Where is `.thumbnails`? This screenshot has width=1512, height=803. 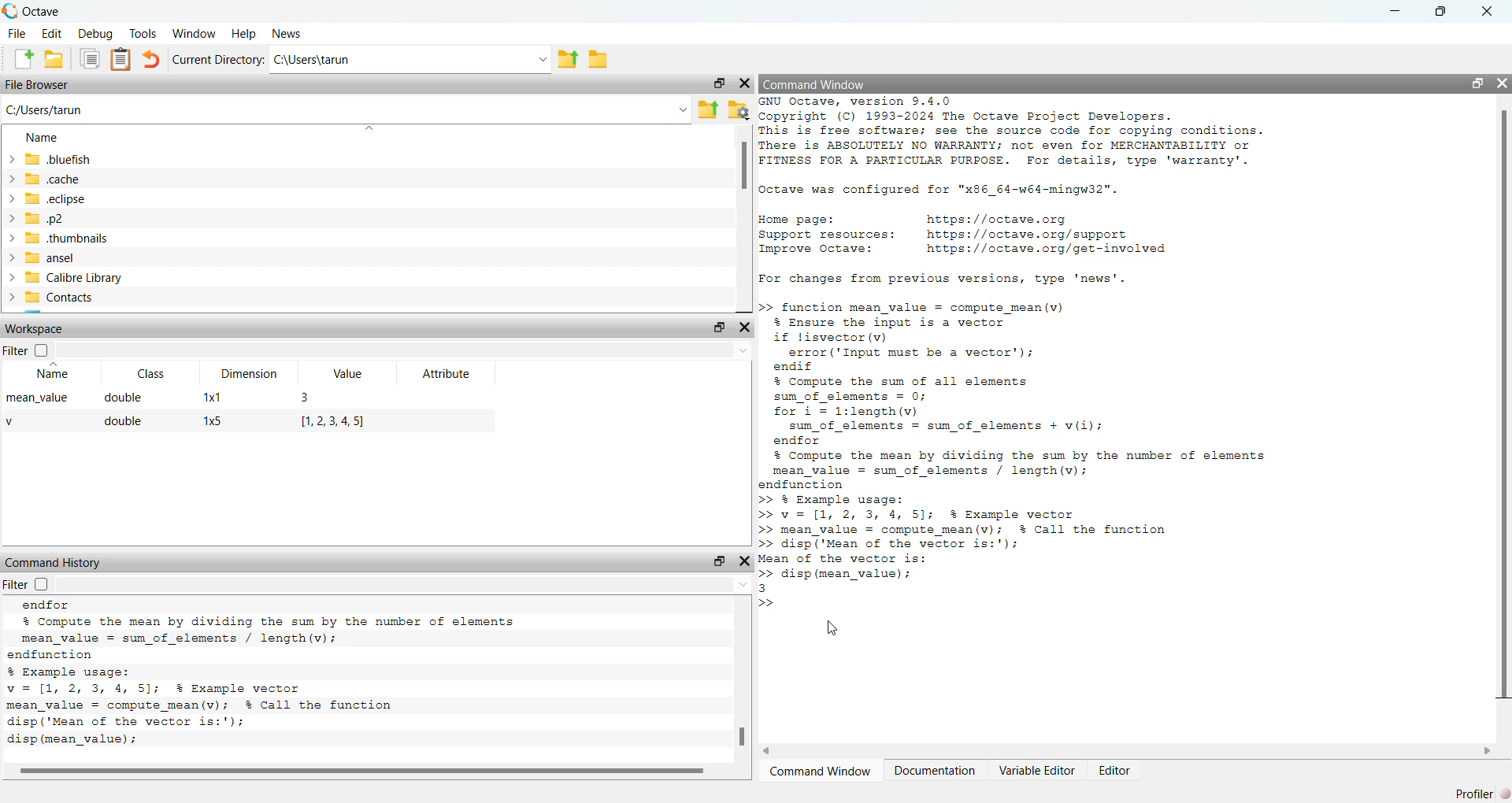
.thumbnails is located at coordinates (66, 239).